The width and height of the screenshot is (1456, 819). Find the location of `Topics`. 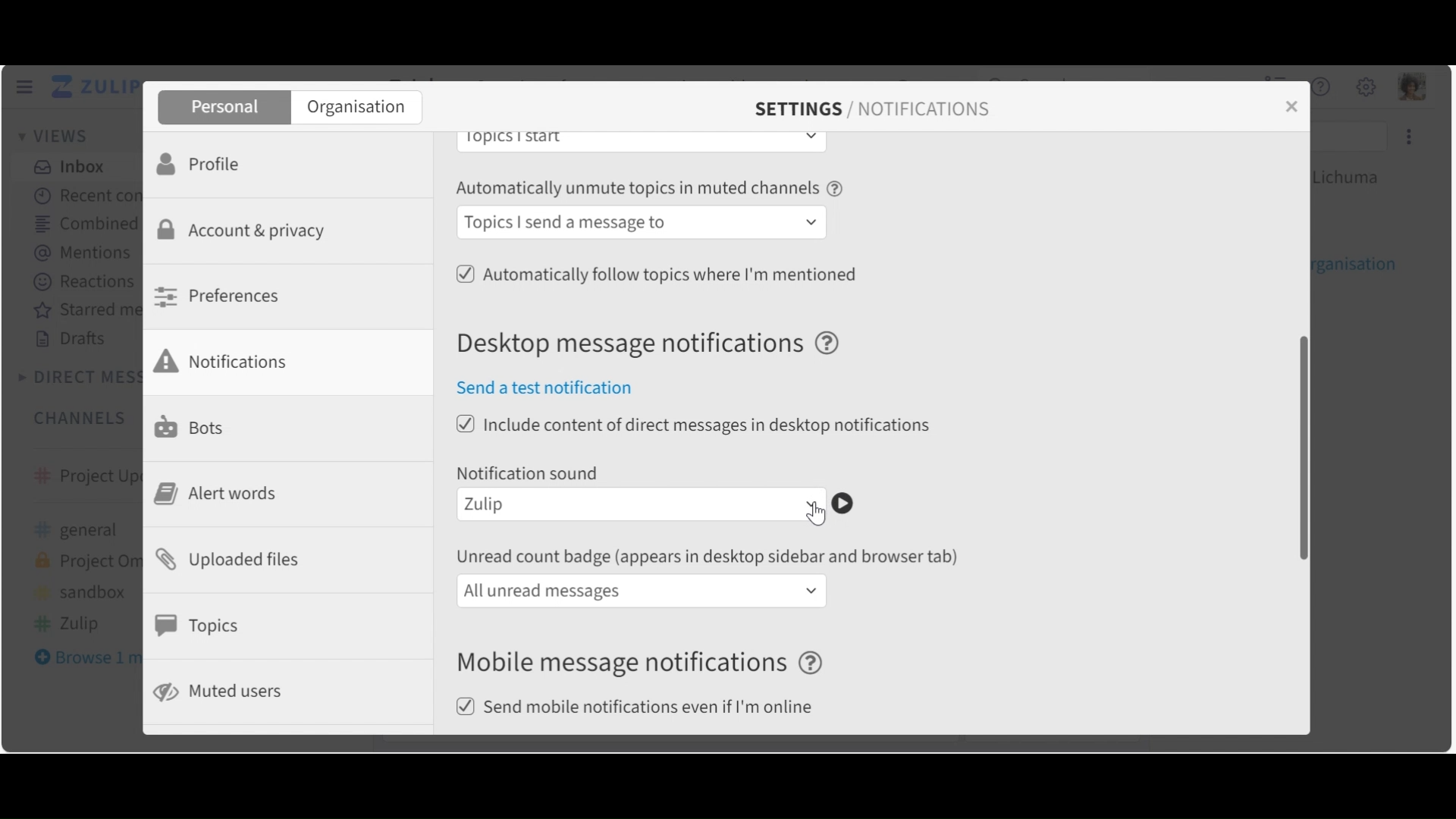

Topics is located at coordinates (202, 626).